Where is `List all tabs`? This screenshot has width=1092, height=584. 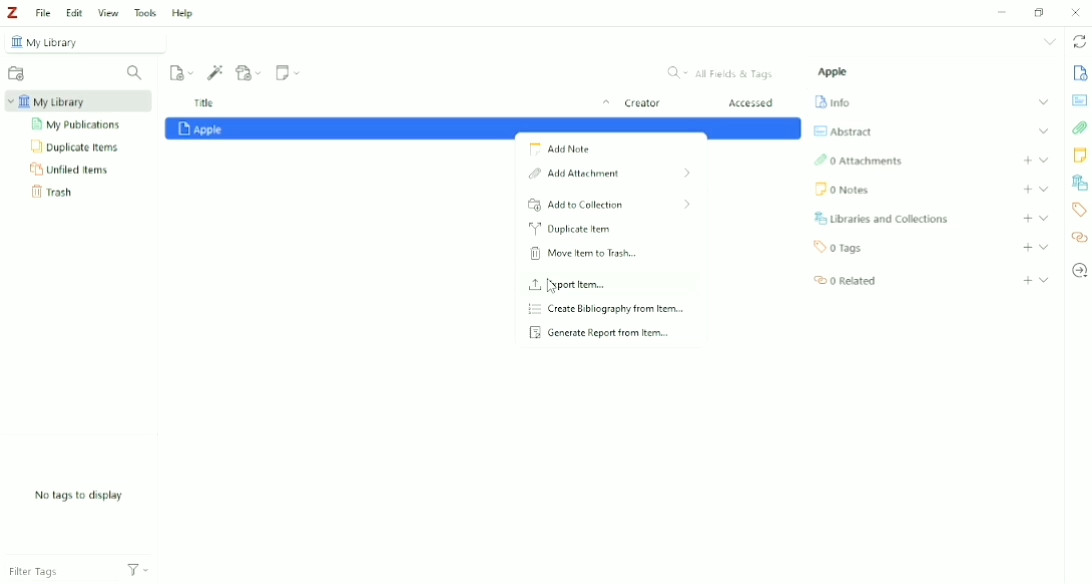
List all tabs is located at coordinates (1048, 43).